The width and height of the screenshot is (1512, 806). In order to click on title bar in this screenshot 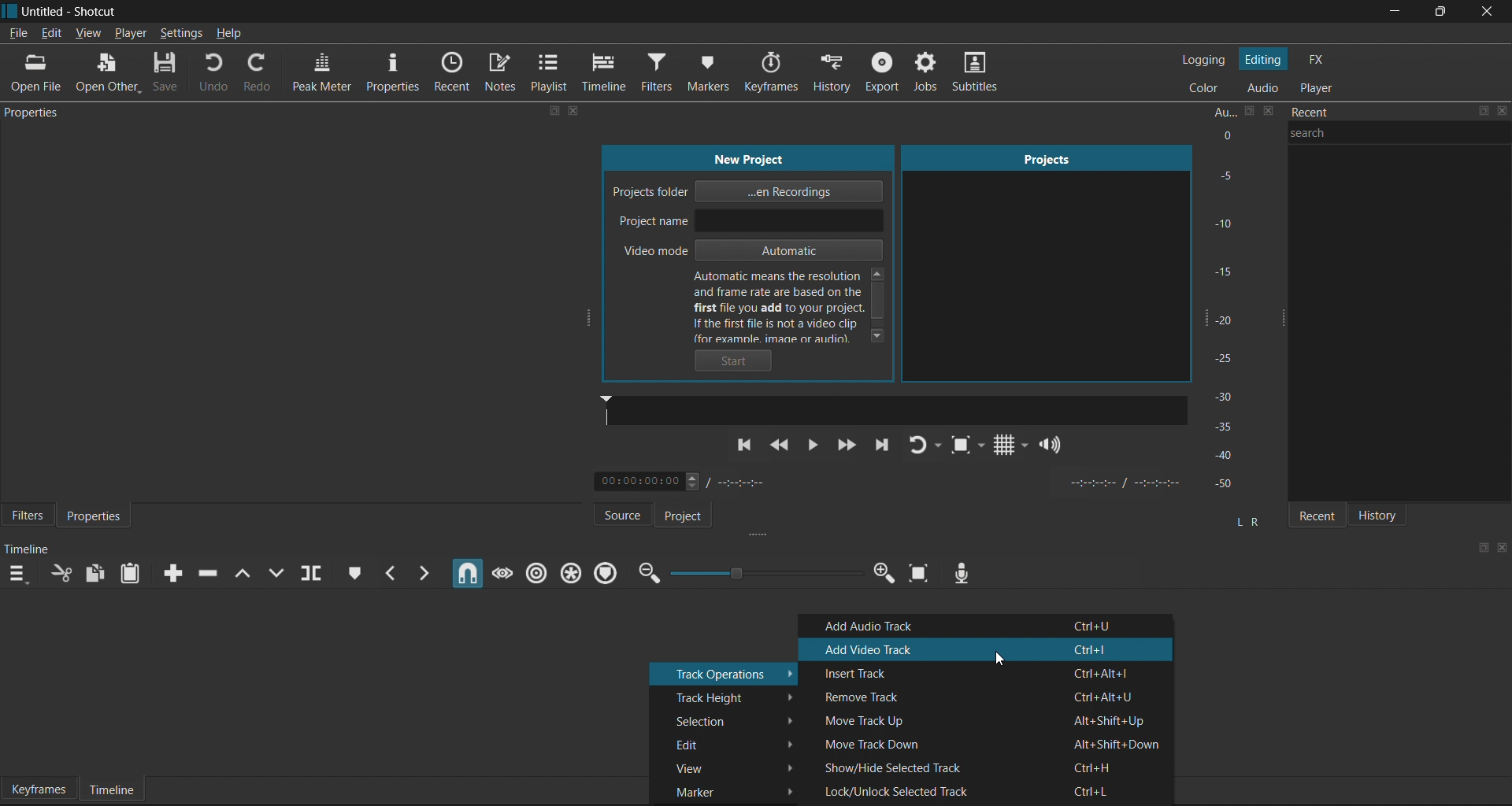, I will do `click(694, 12)`.